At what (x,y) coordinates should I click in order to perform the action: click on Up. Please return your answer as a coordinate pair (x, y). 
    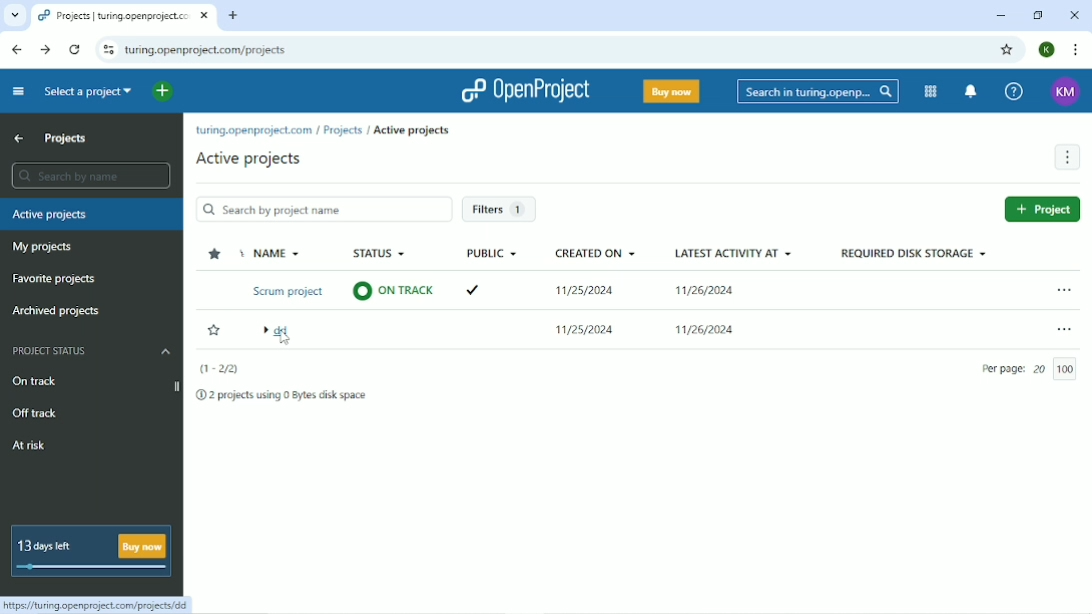
    Looking at the image, I should click on (19, 138).